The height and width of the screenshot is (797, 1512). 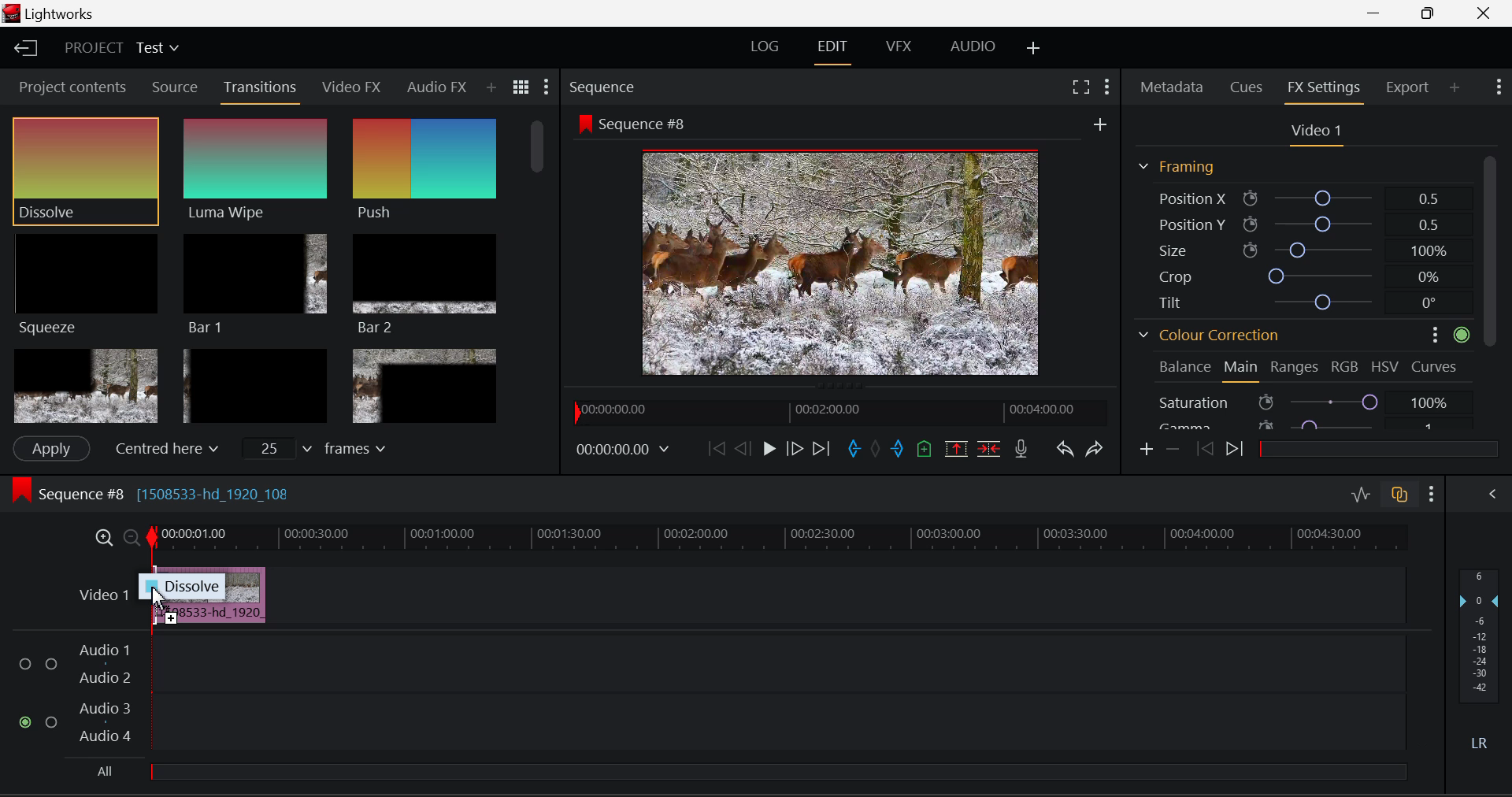 I want to click on Remove Marked Section, so click(x=955, y=449).